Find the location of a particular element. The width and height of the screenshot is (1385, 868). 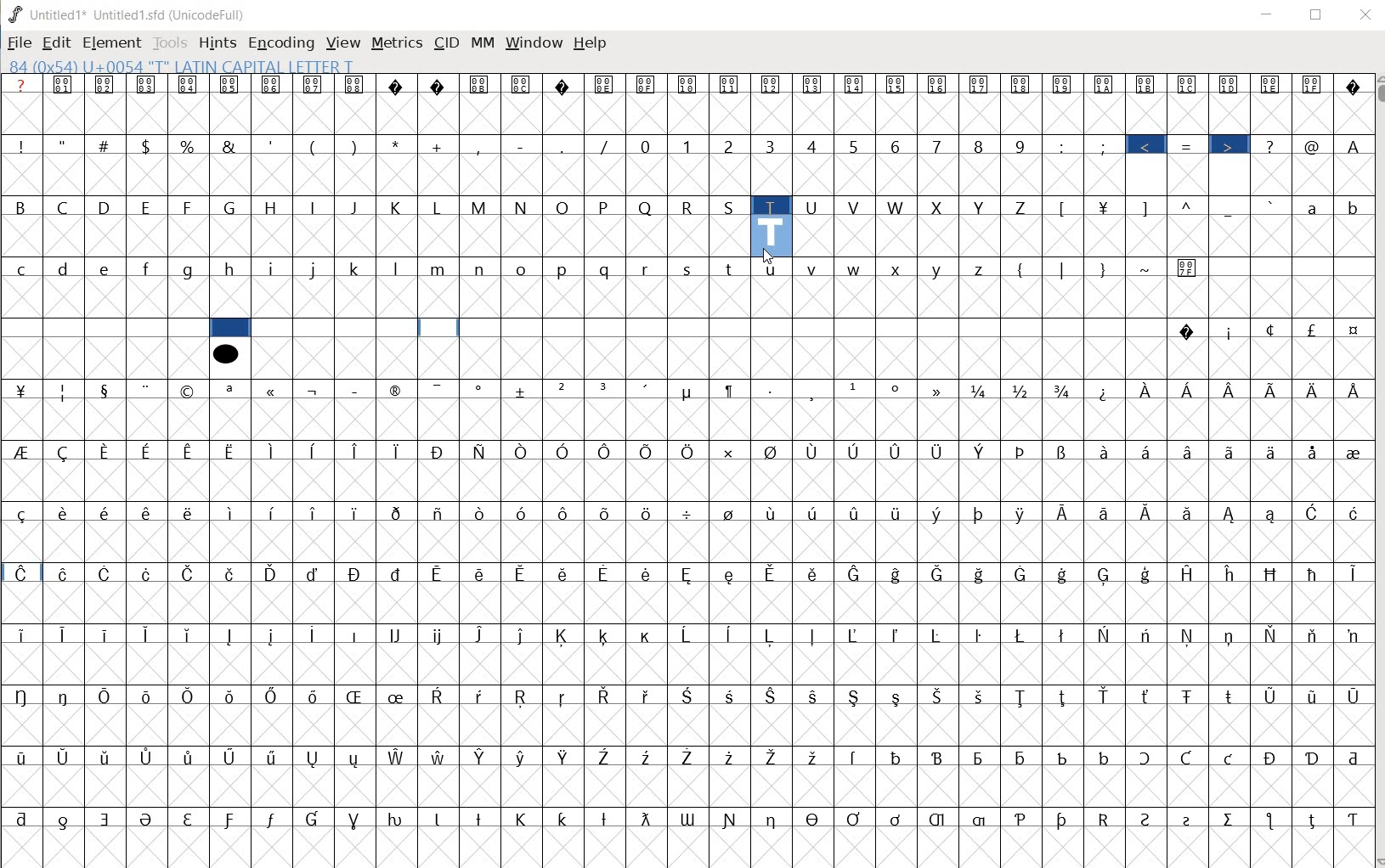

 is located at coordinates (356, 757).